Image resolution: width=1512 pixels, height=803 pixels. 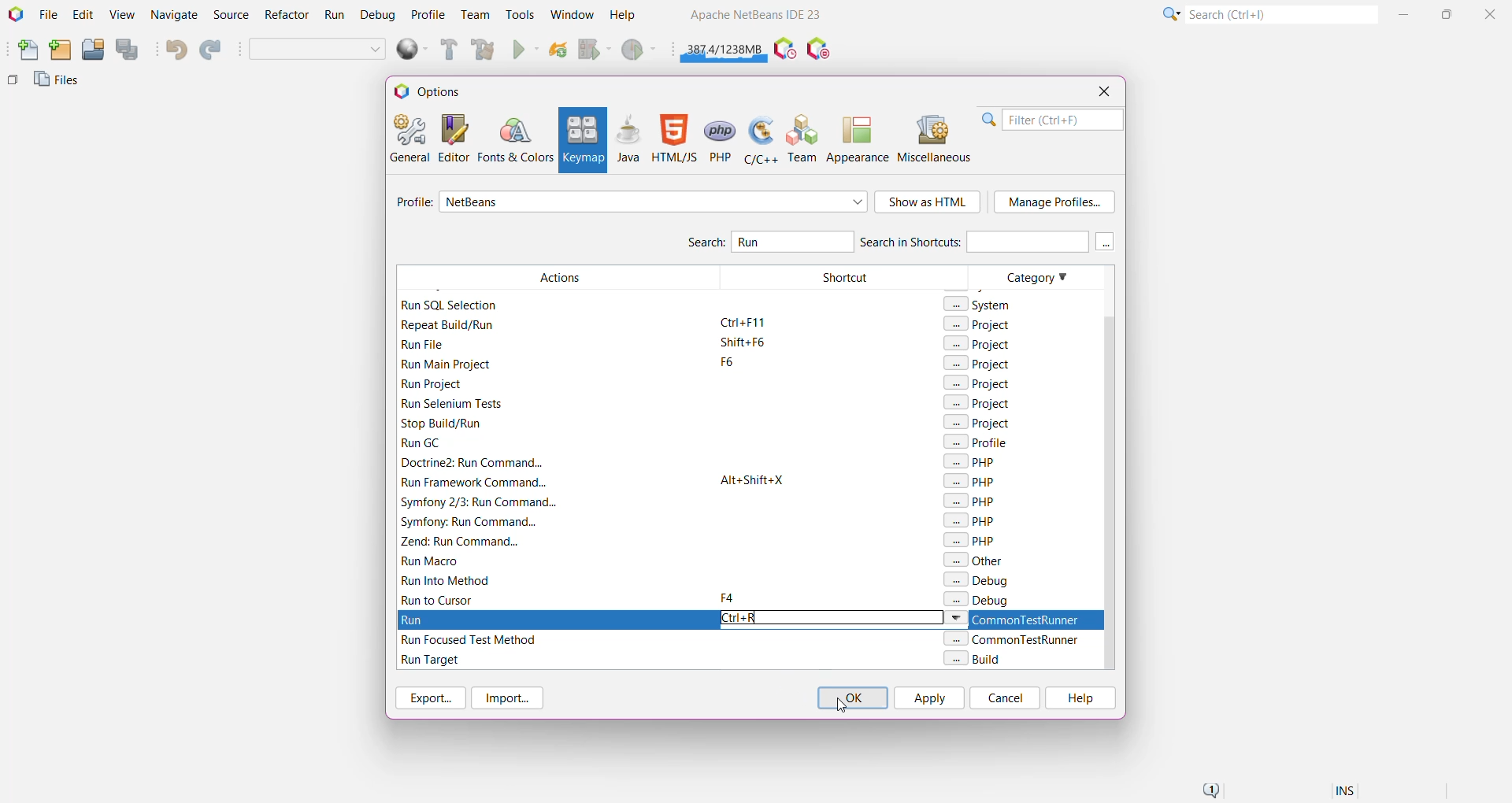 I want to click on HTML/JS, so click(x=673, y=139).